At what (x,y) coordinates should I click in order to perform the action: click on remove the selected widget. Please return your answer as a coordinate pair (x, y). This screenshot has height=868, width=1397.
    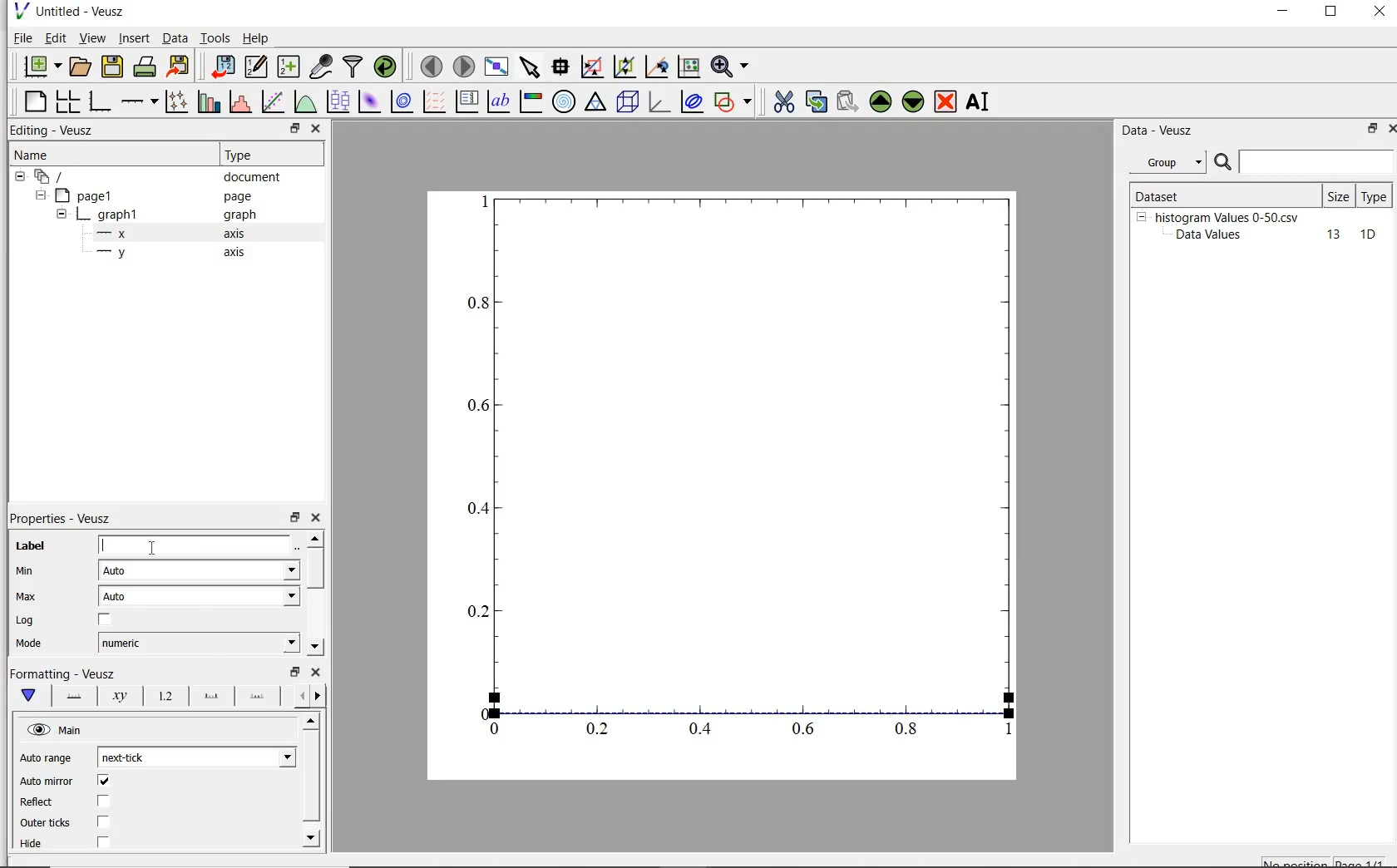
    Looking at the image, I should click on (945, 103).